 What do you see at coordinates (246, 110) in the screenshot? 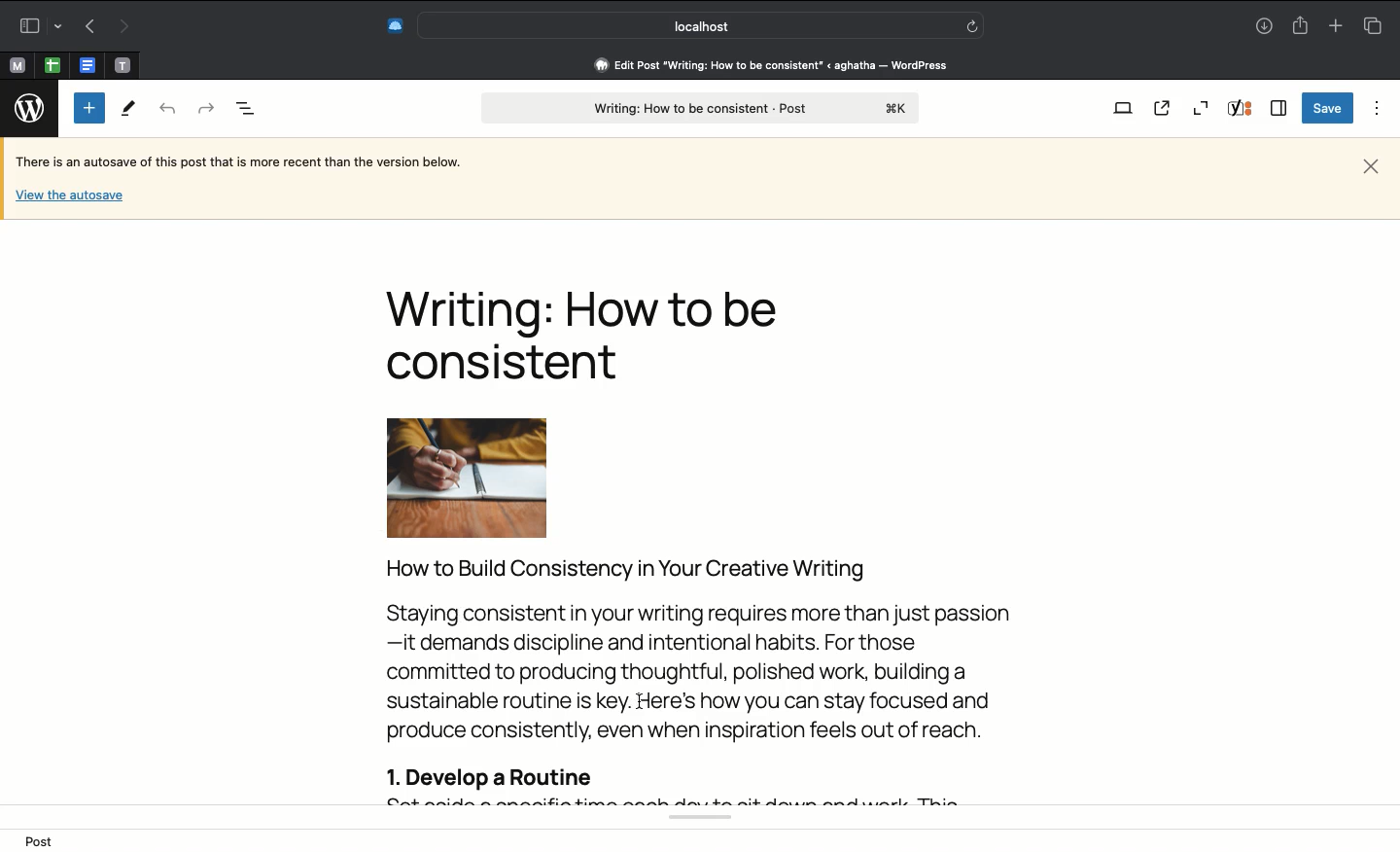
I see `Document overview` at bounding box center [246, 110].